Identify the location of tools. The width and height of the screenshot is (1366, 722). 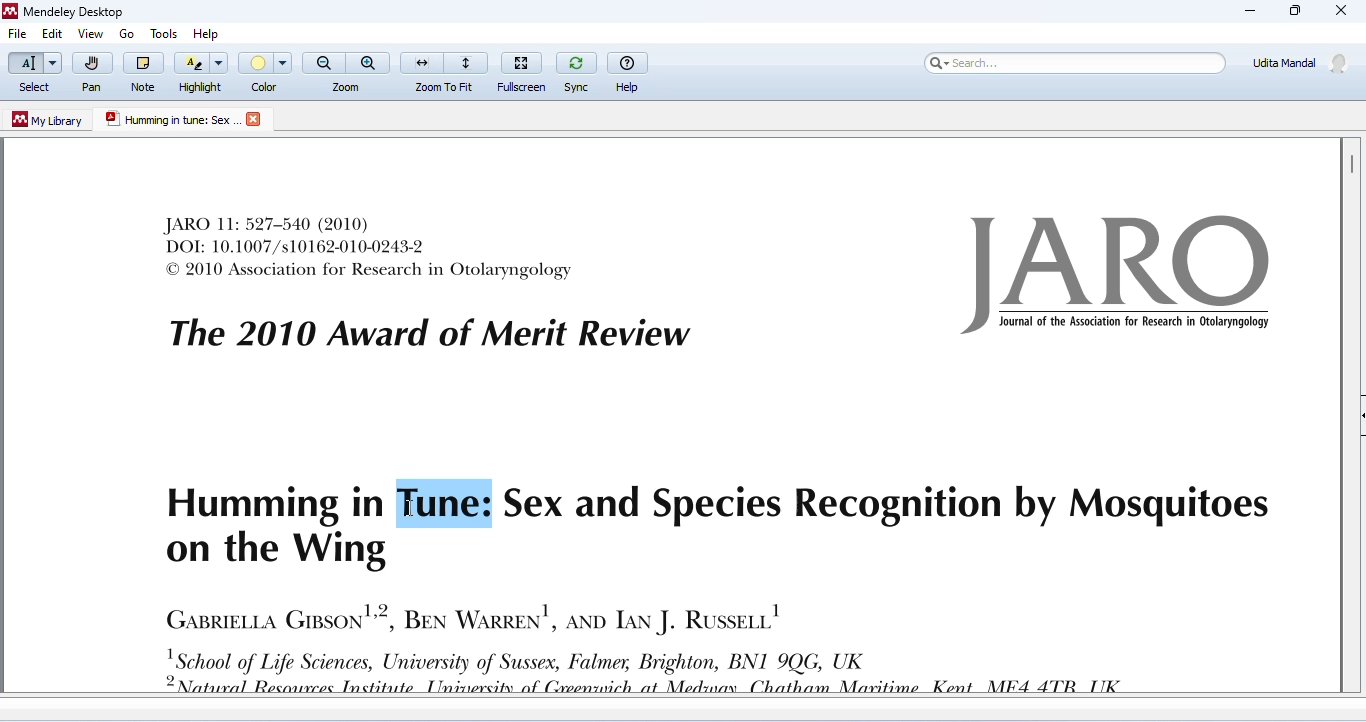
(161, 30).